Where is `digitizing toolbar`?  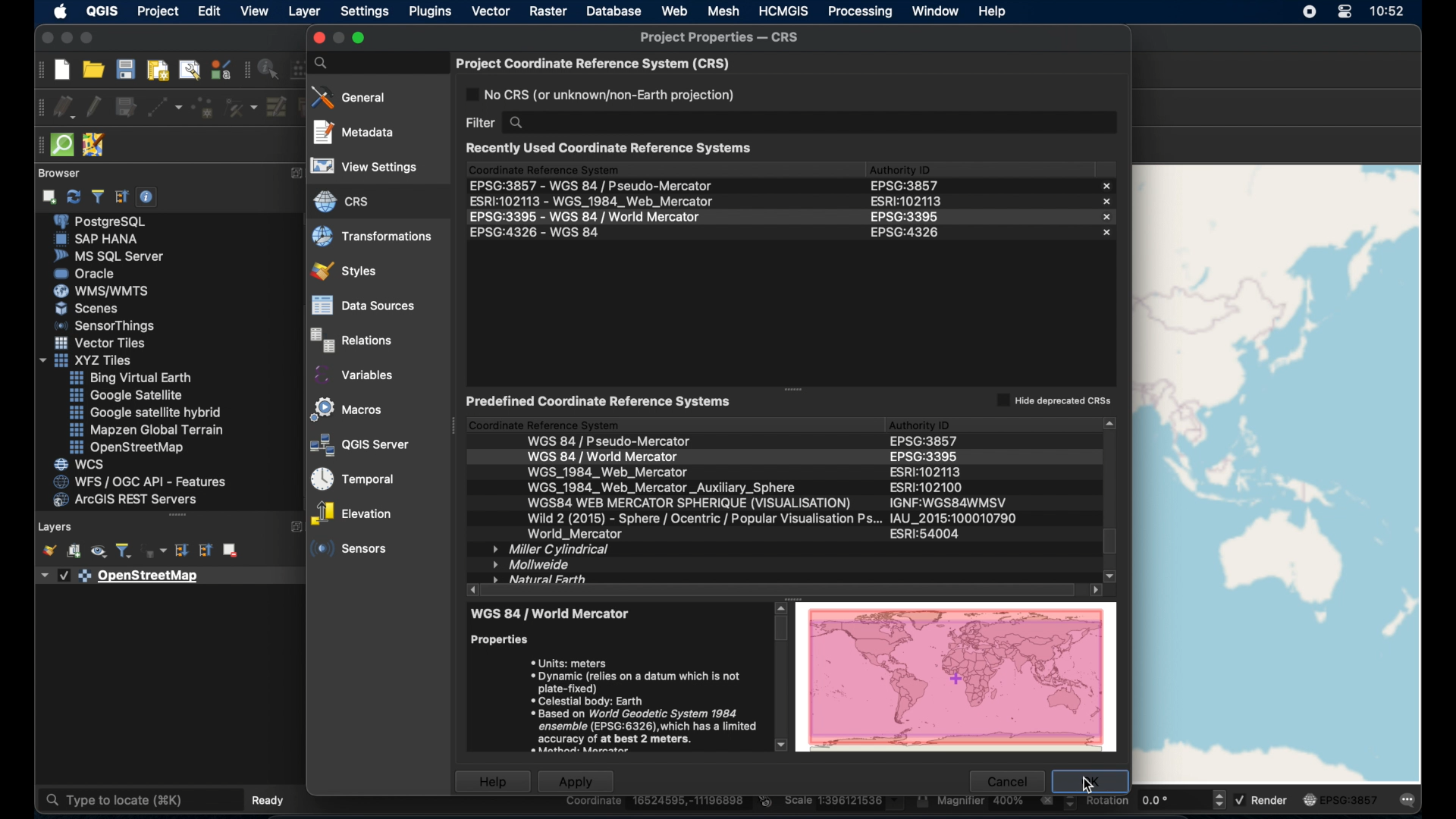
digitizing toolbar is located at coordinates (36, 108).